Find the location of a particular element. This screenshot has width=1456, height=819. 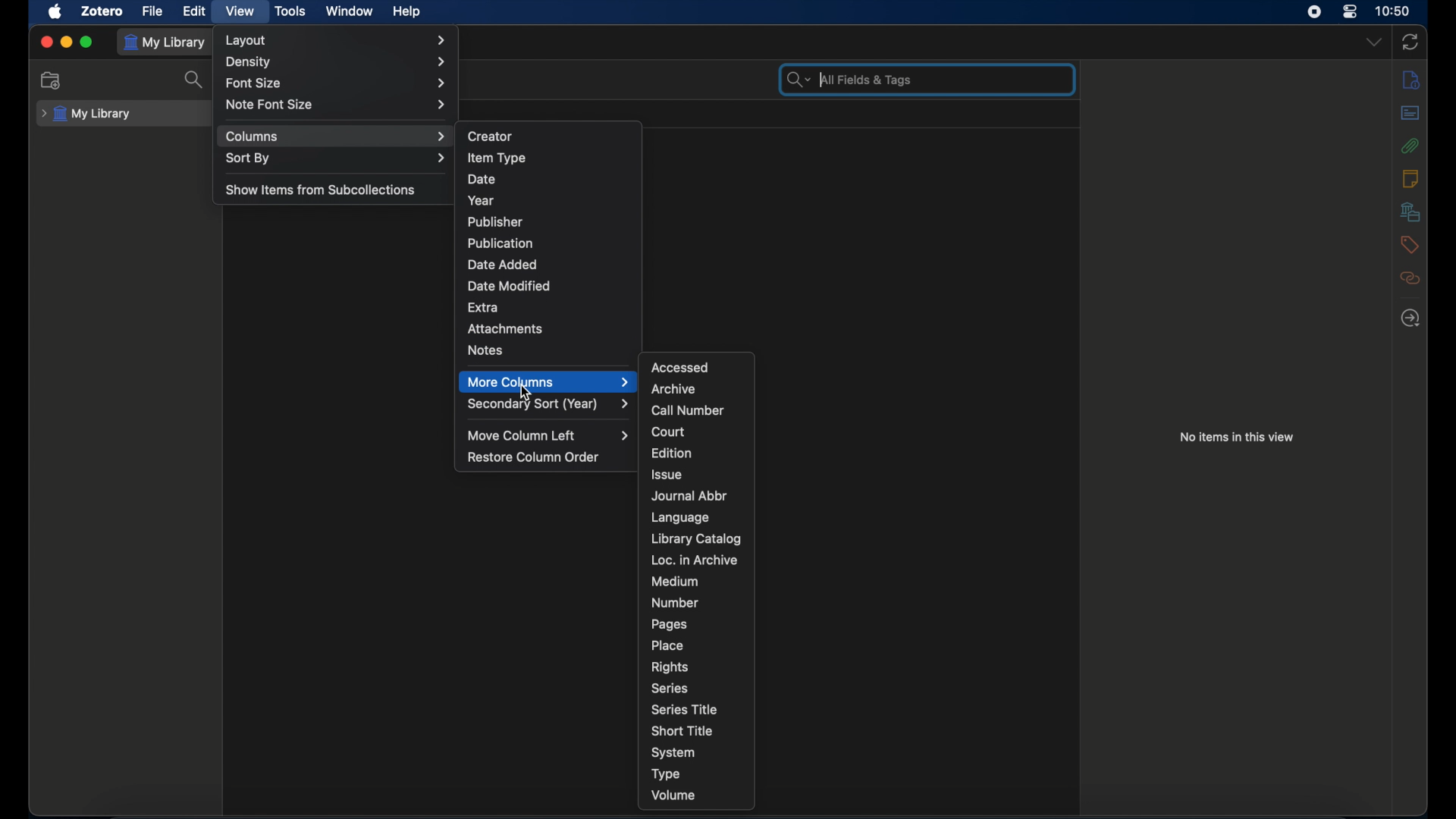

number is located at coordinates (675, 602).